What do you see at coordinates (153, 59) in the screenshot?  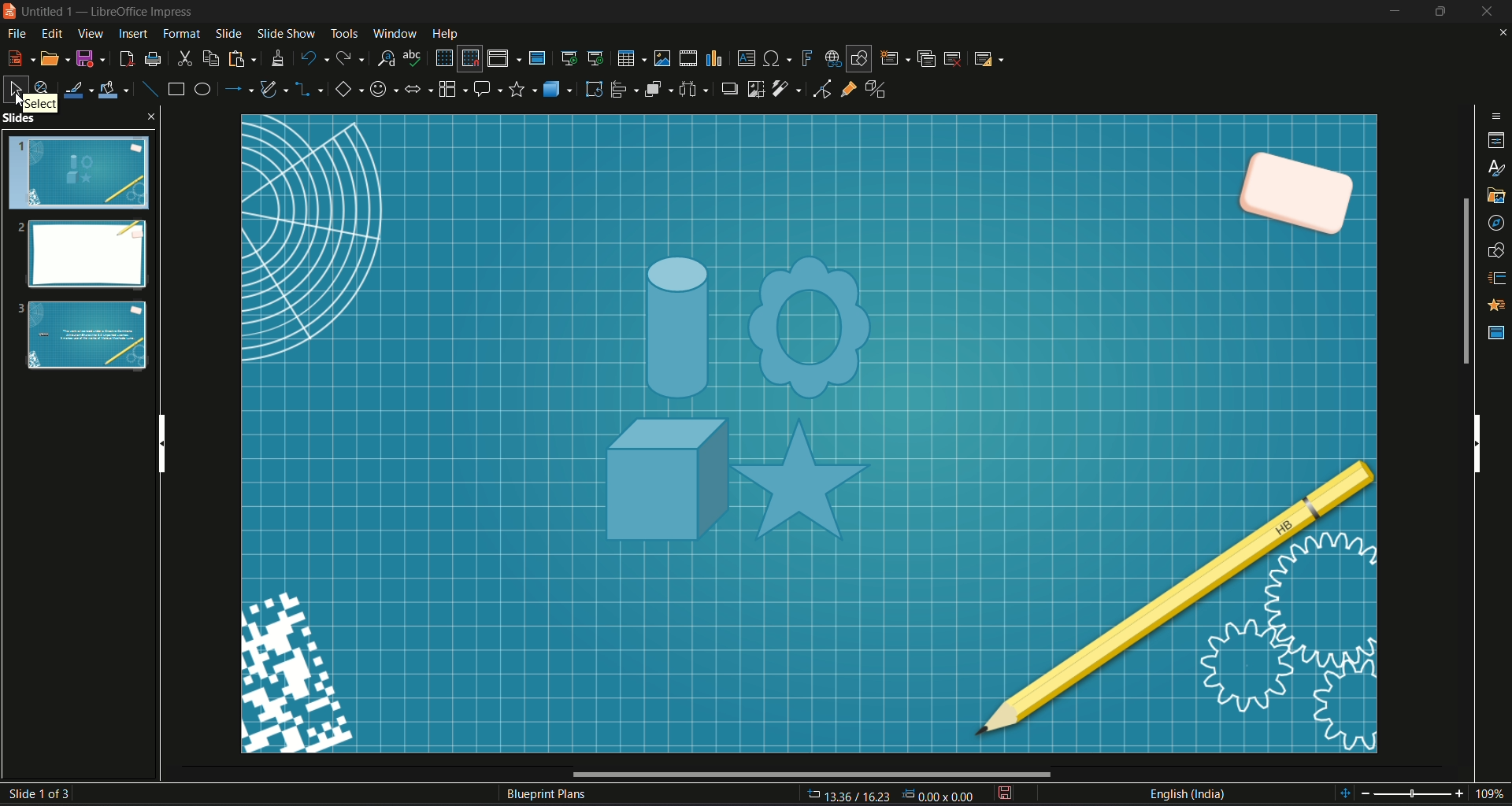 I see `print` at bounding box center [153, 59].